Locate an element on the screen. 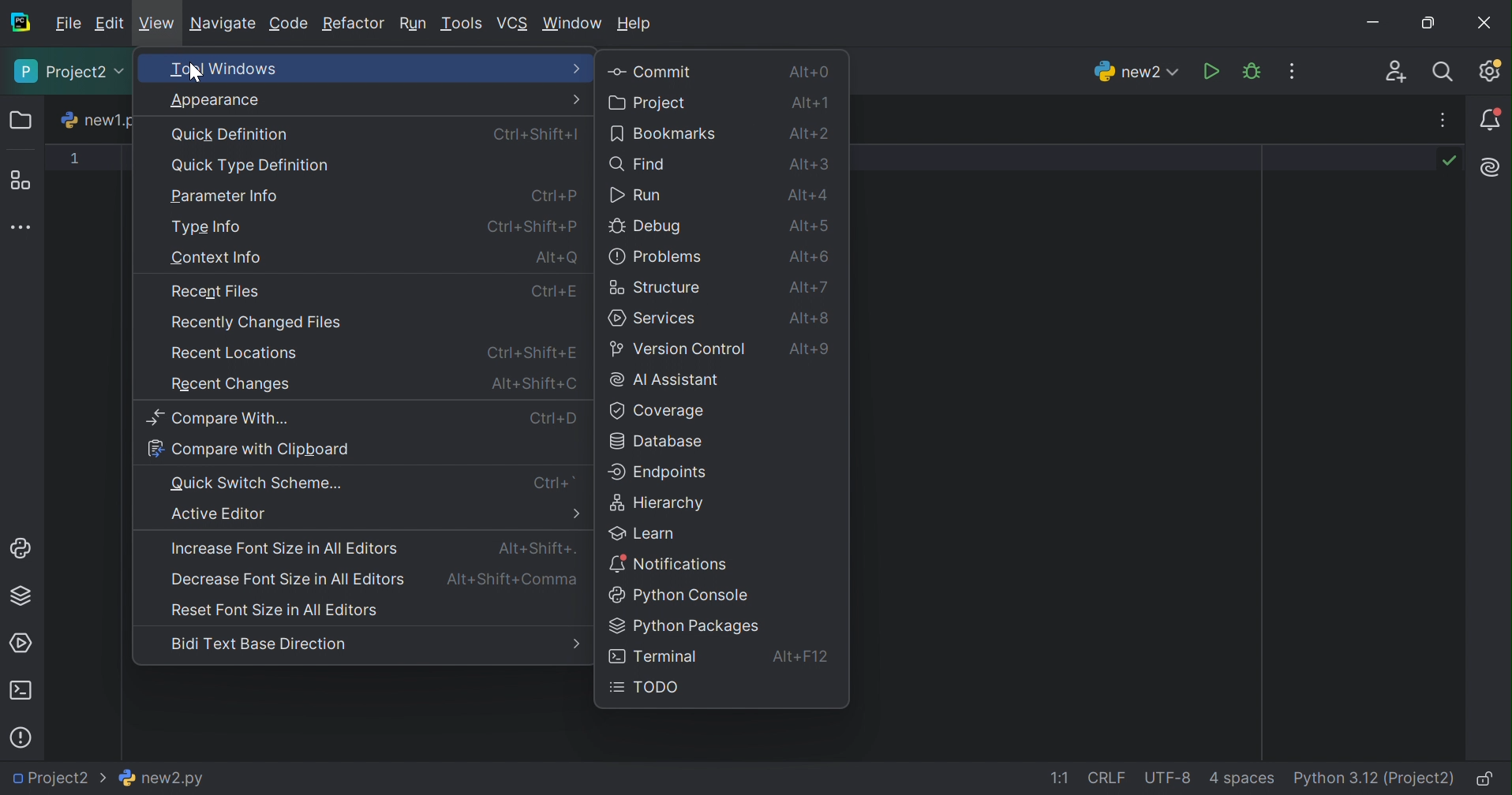 Image resolution: width=1512 pixels, height=795 pixels. Project2 is located at coordinates (69, 72).